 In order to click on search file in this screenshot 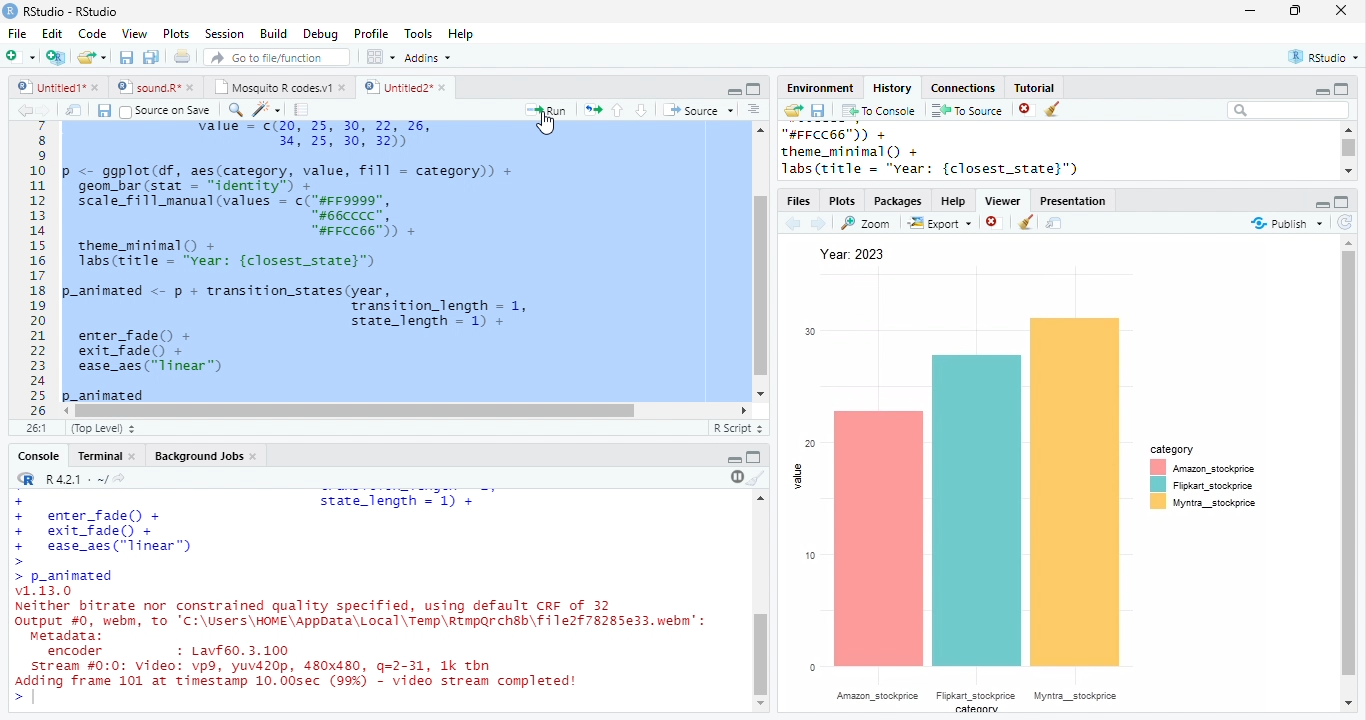, I will do `click(275, 57)`.